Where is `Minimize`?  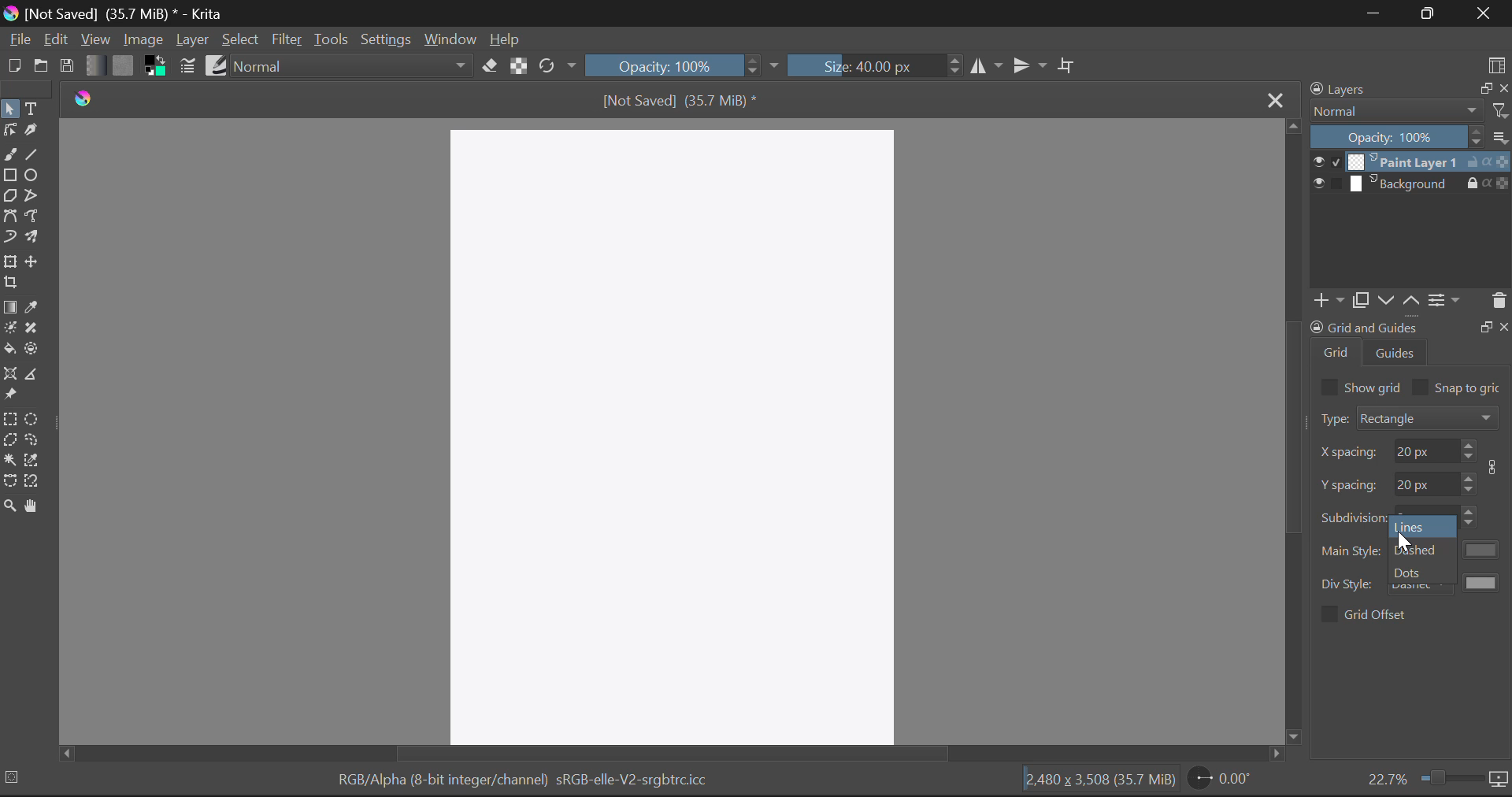
Minimize is located at coordinates (1433, 13).